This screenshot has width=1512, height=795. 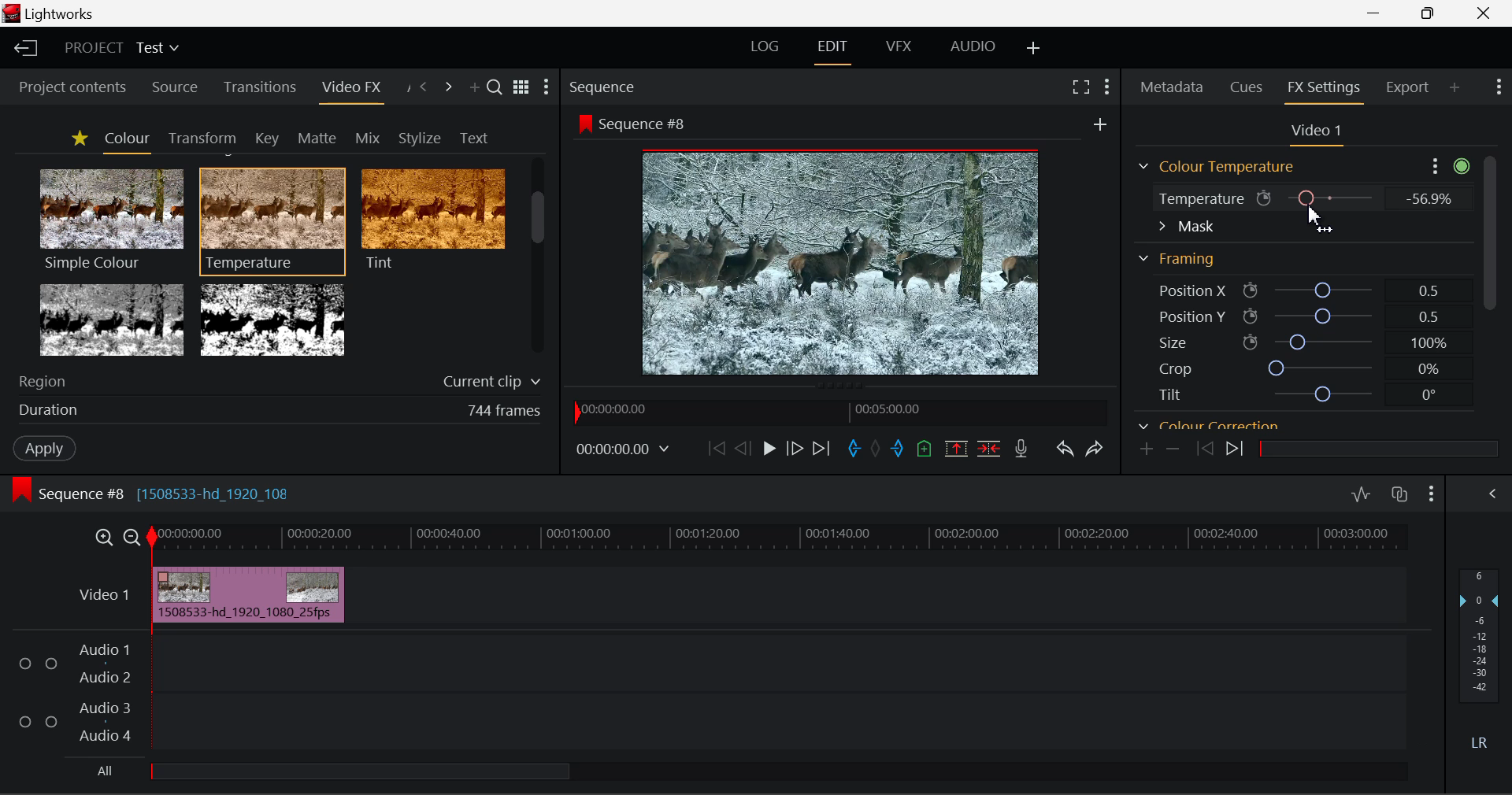 What do you see at coordinates (471, 137) in the screenshot?
I see `Text` at bounding box center [471, 137].